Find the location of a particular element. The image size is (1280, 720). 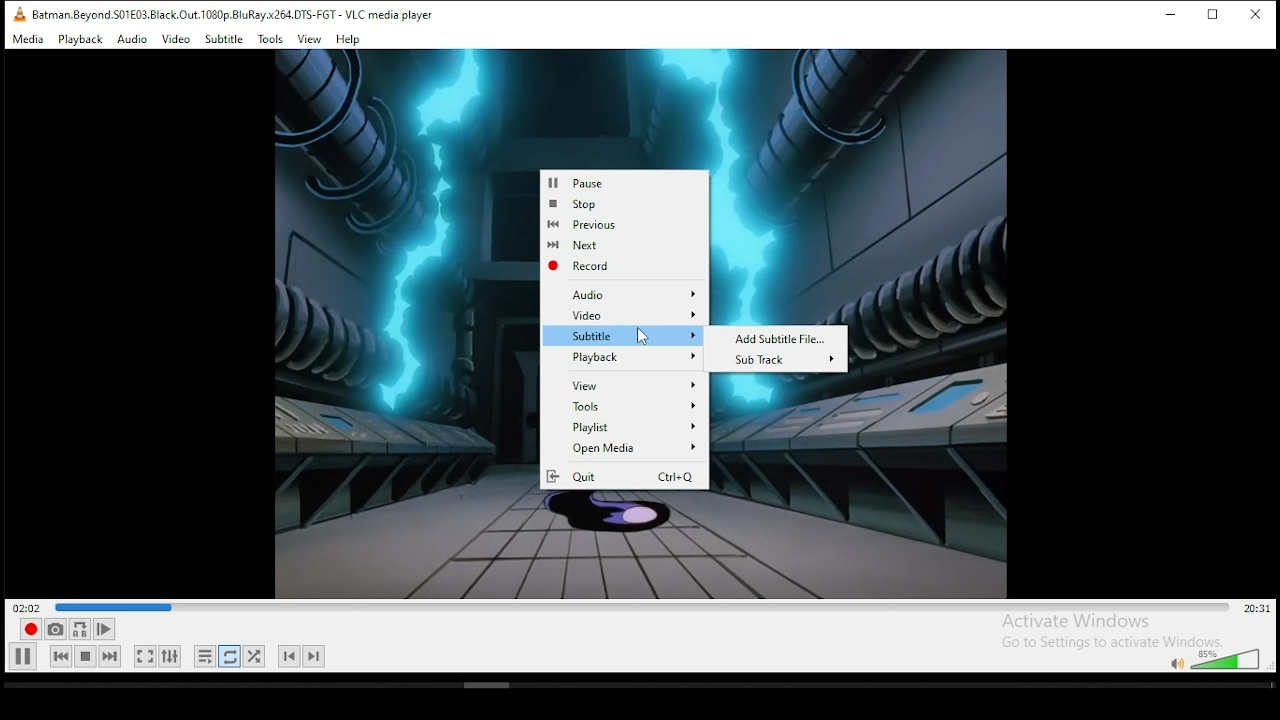

record is located at coordinates (31, 629).